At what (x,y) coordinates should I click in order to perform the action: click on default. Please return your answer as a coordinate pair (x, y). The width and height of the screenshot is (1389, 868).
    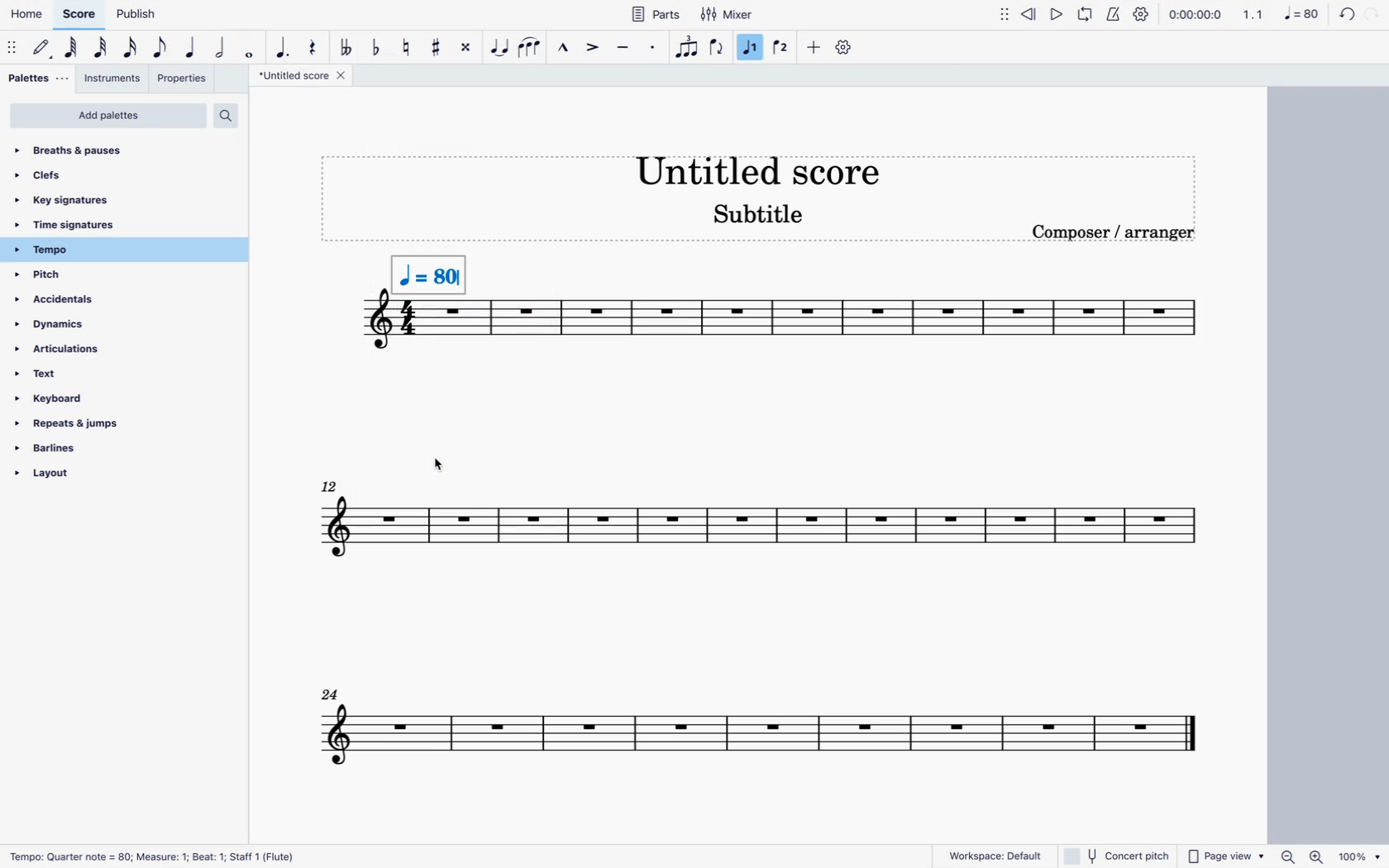
    Looking at the image, I should click on (41, 50).